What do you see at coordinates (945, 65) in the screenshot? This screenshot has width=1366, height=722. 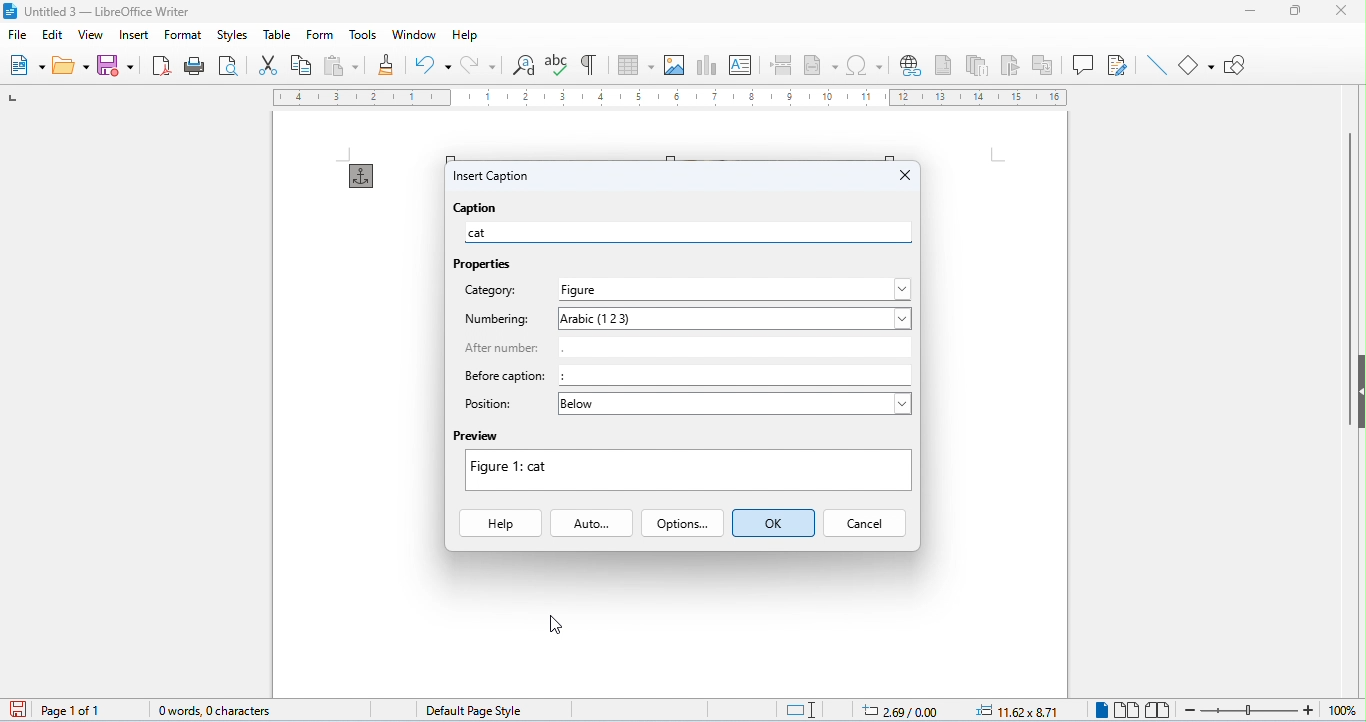 I see `insert footnote` at bounding box center [945, 65].